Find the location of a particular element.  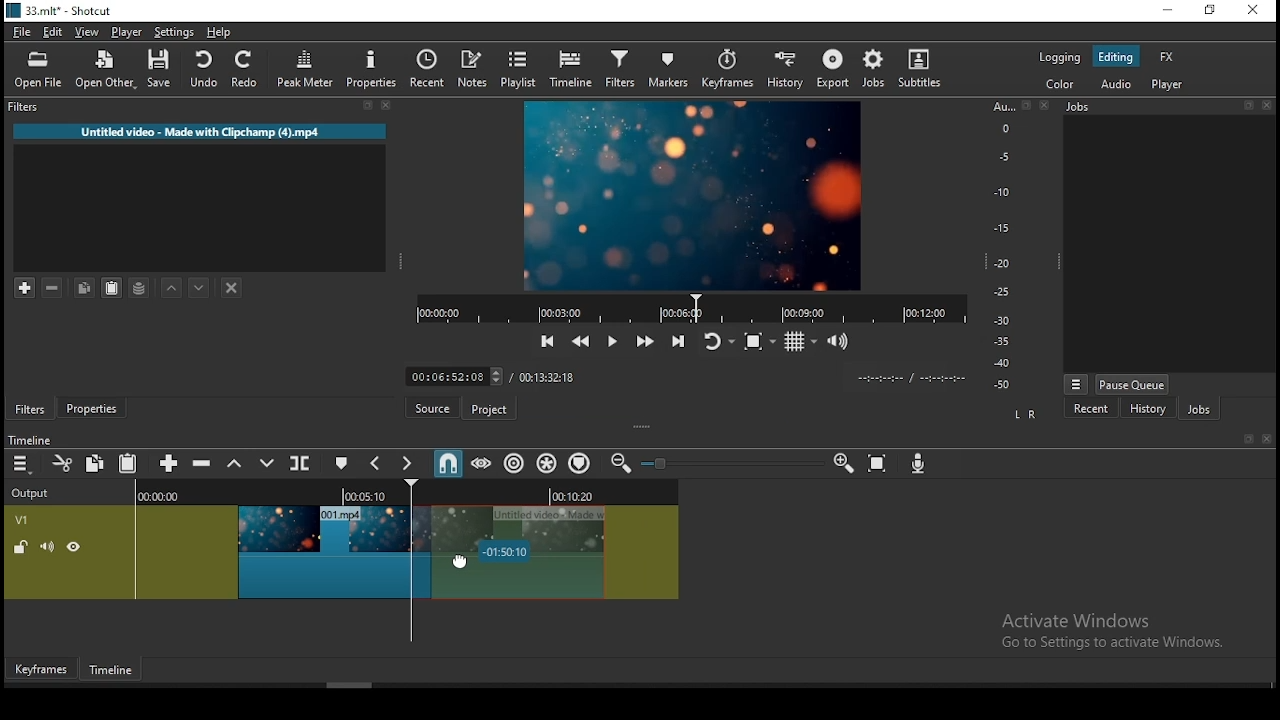

next marker is located at coordinates (410, 463).